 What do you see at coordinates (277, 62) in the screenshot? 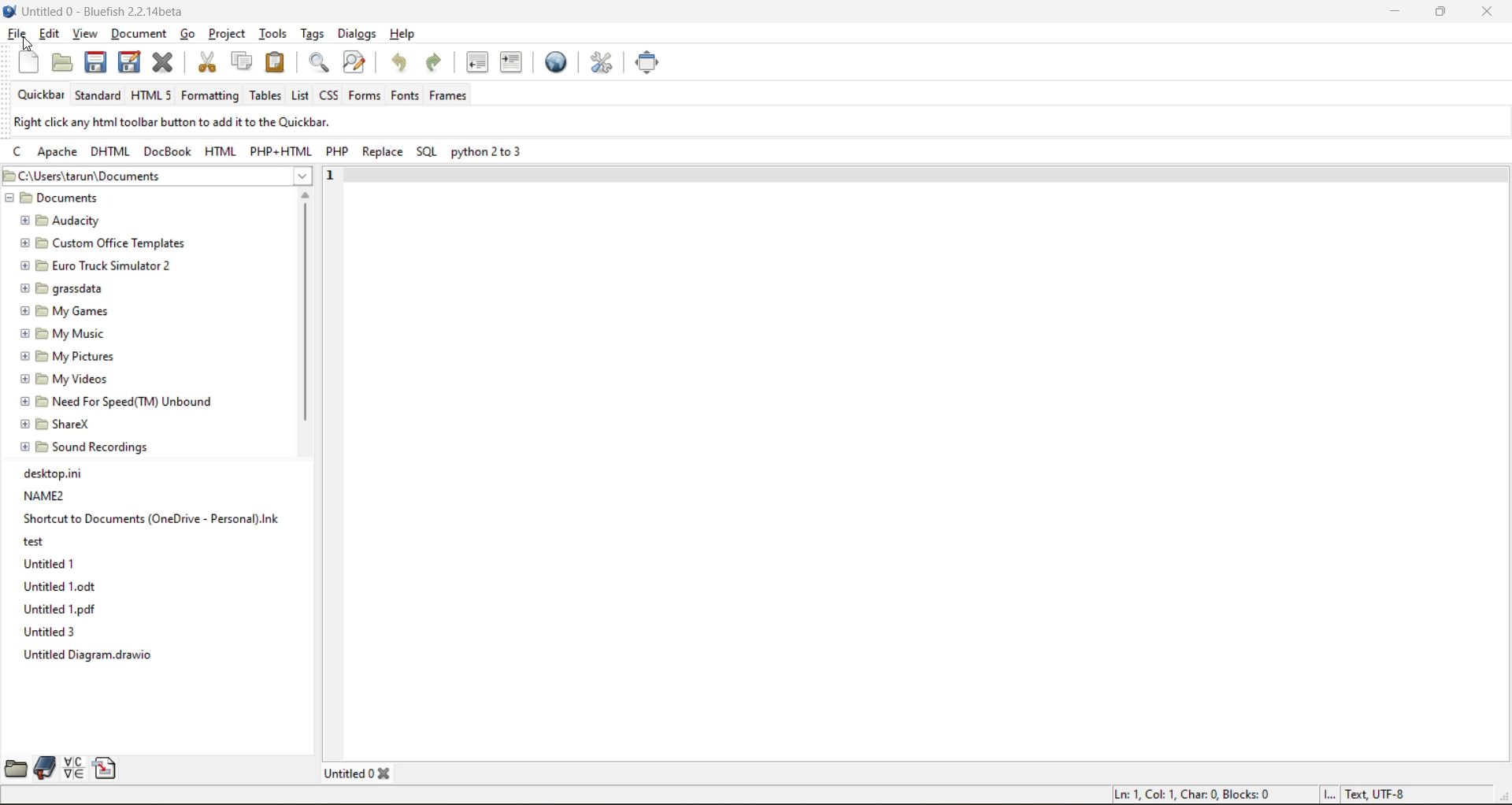
I see `paste` at bounding box center [277, 62].